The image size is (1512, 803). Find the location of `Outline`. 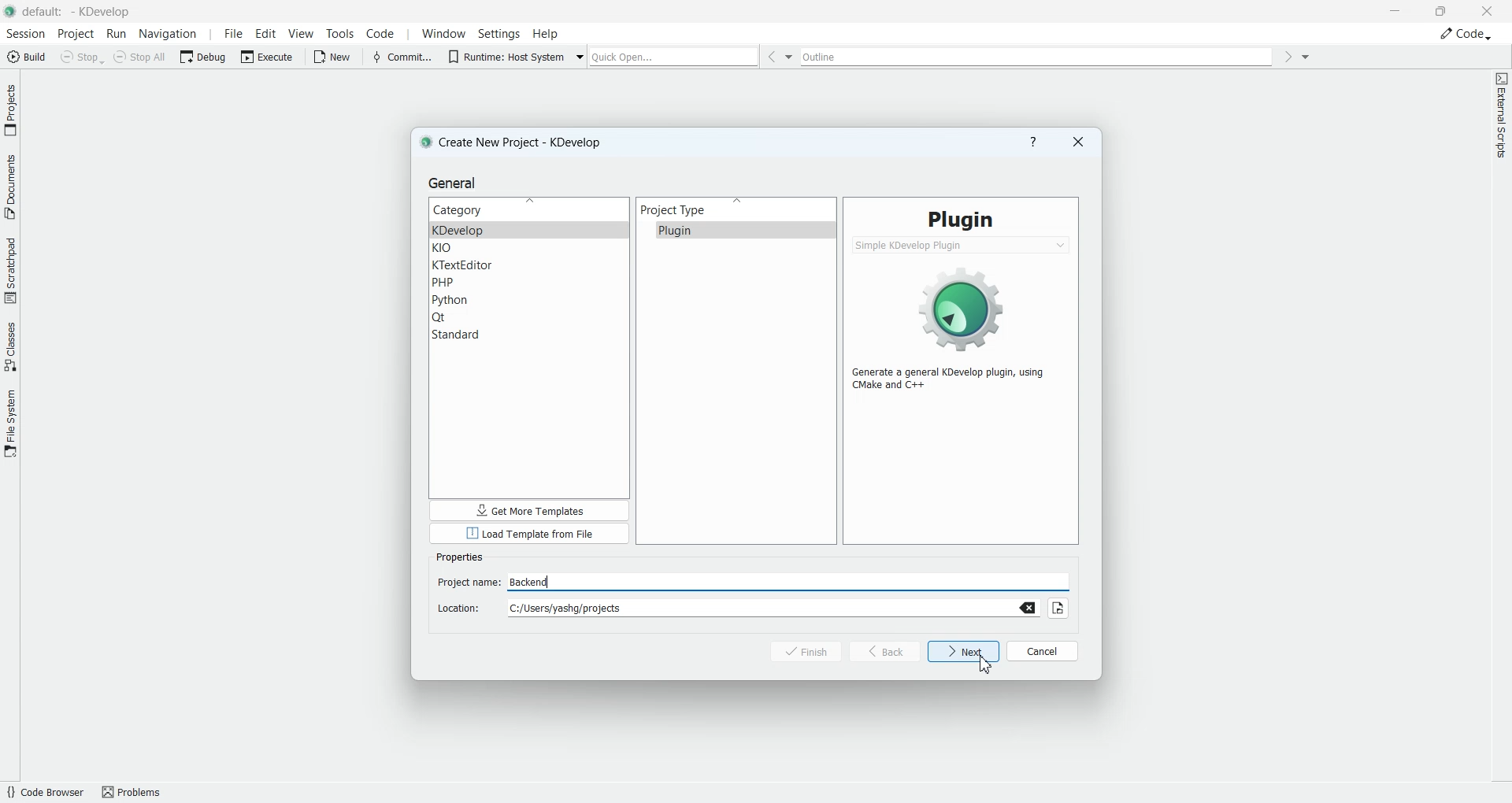

Outline is located at coordinates (1039, 57).